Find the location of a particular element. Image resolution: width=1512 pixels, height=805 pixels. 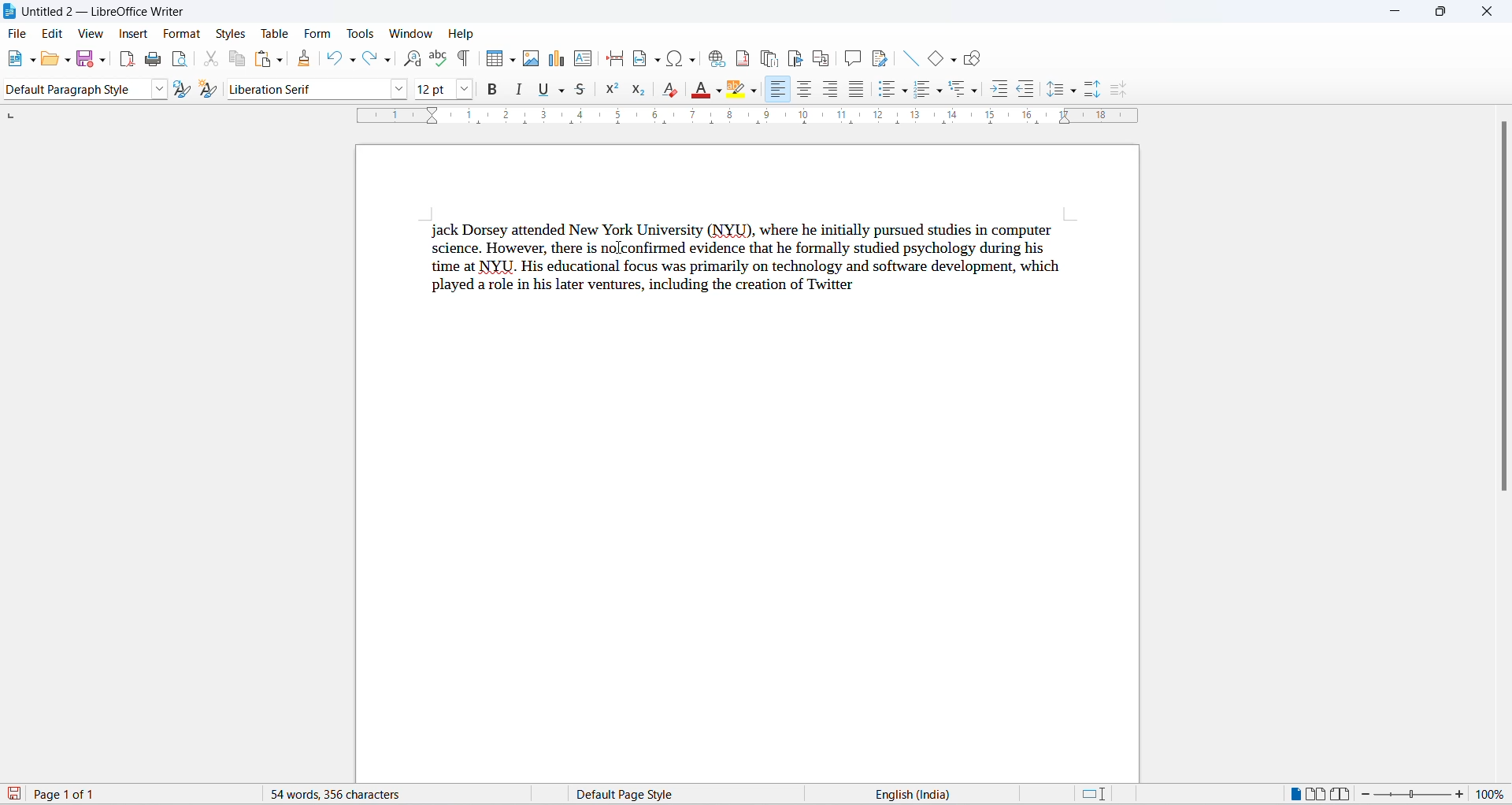

line spacing is located at coordinates (1054, 90).